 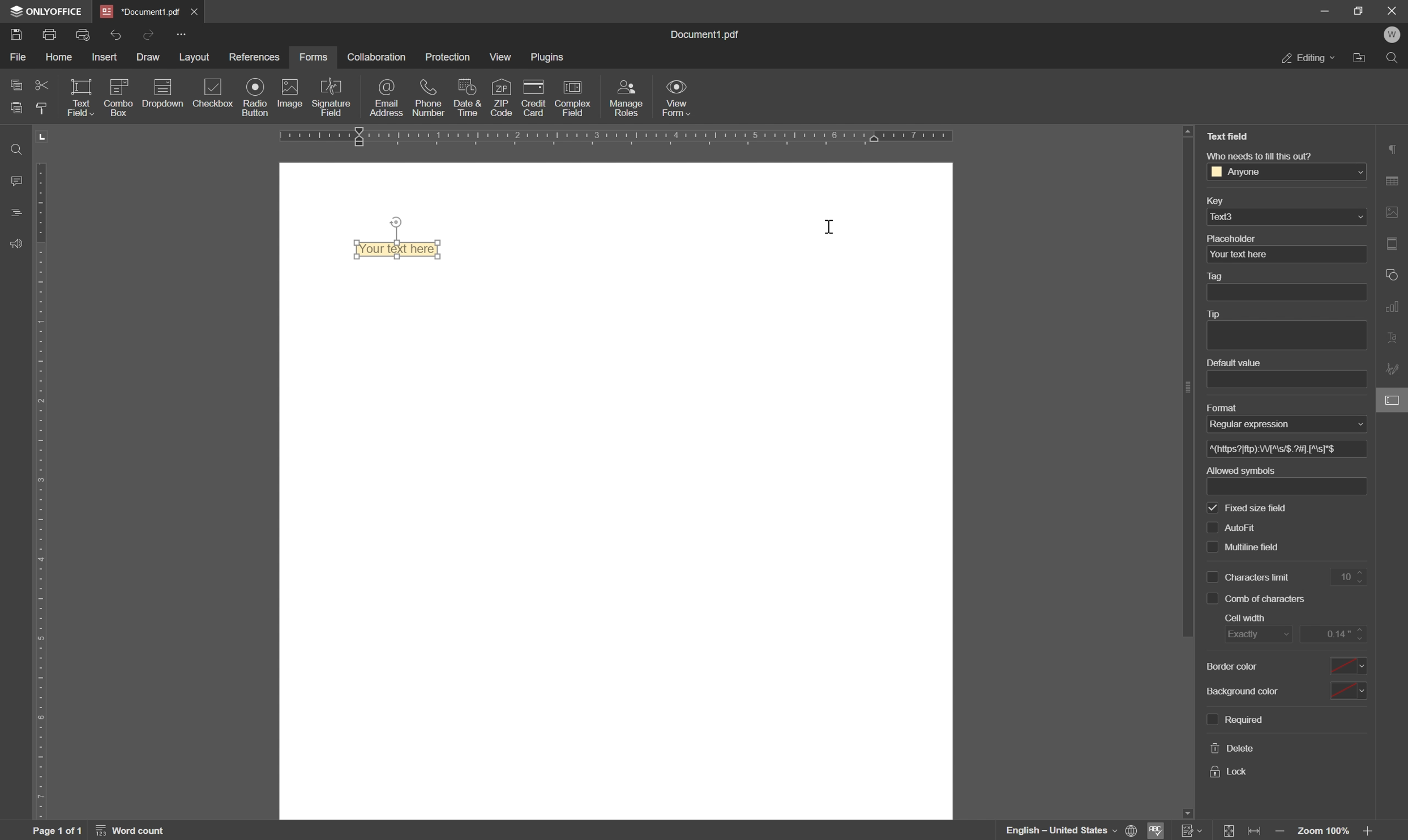 What do you see at coordinates (1360, 217) in the screenshot?
I see `drop down` at bounding box center [1360, 217].